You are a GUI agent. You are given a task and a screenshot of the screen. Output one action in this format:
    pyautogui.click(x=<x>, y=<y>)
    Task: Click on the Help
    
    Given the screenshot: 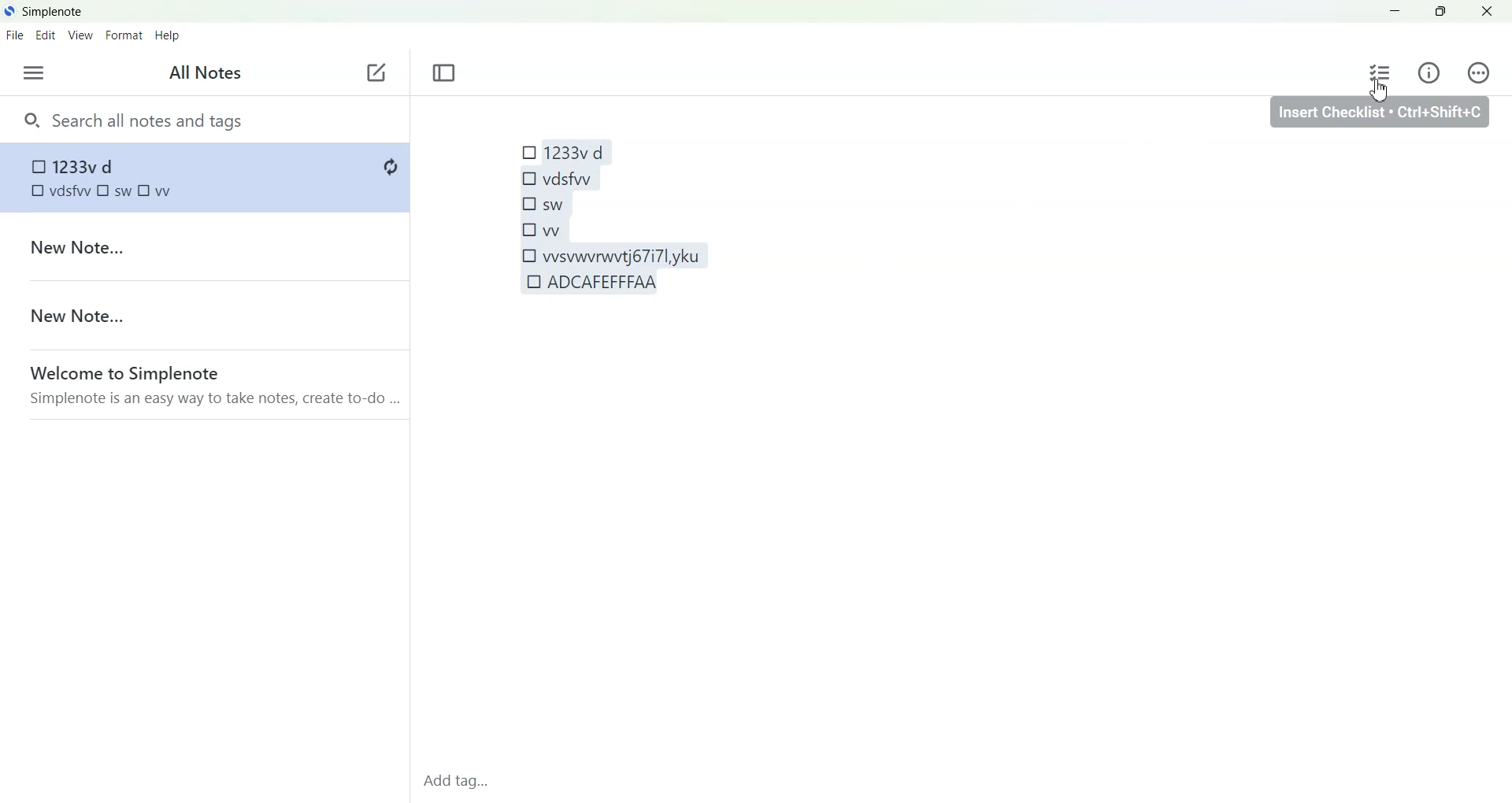 What is the action you would take?
    pyautogui.click(x=167, y=35)
    